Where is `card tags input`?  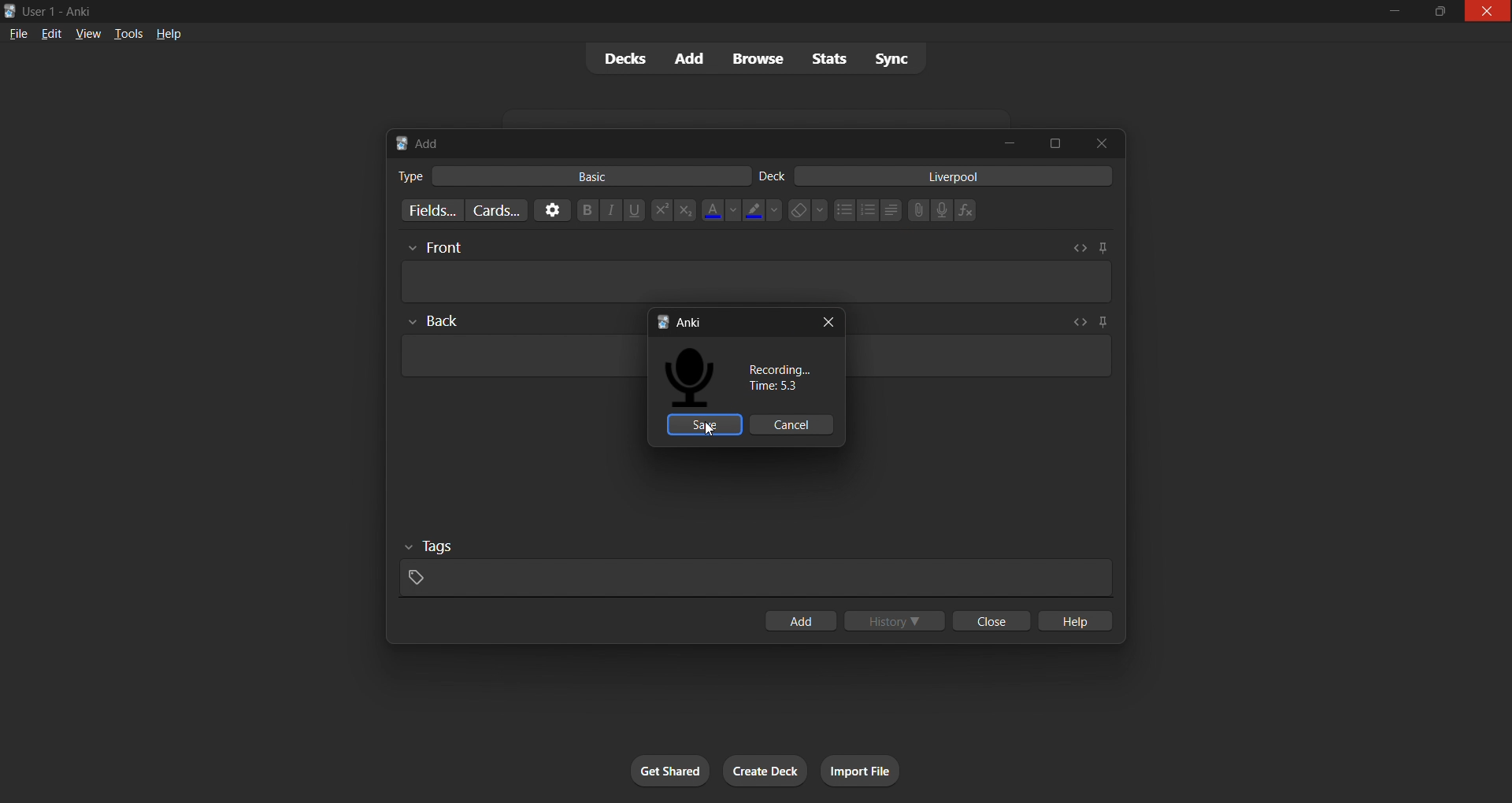 card tags input is located at coordinates (752, 568).